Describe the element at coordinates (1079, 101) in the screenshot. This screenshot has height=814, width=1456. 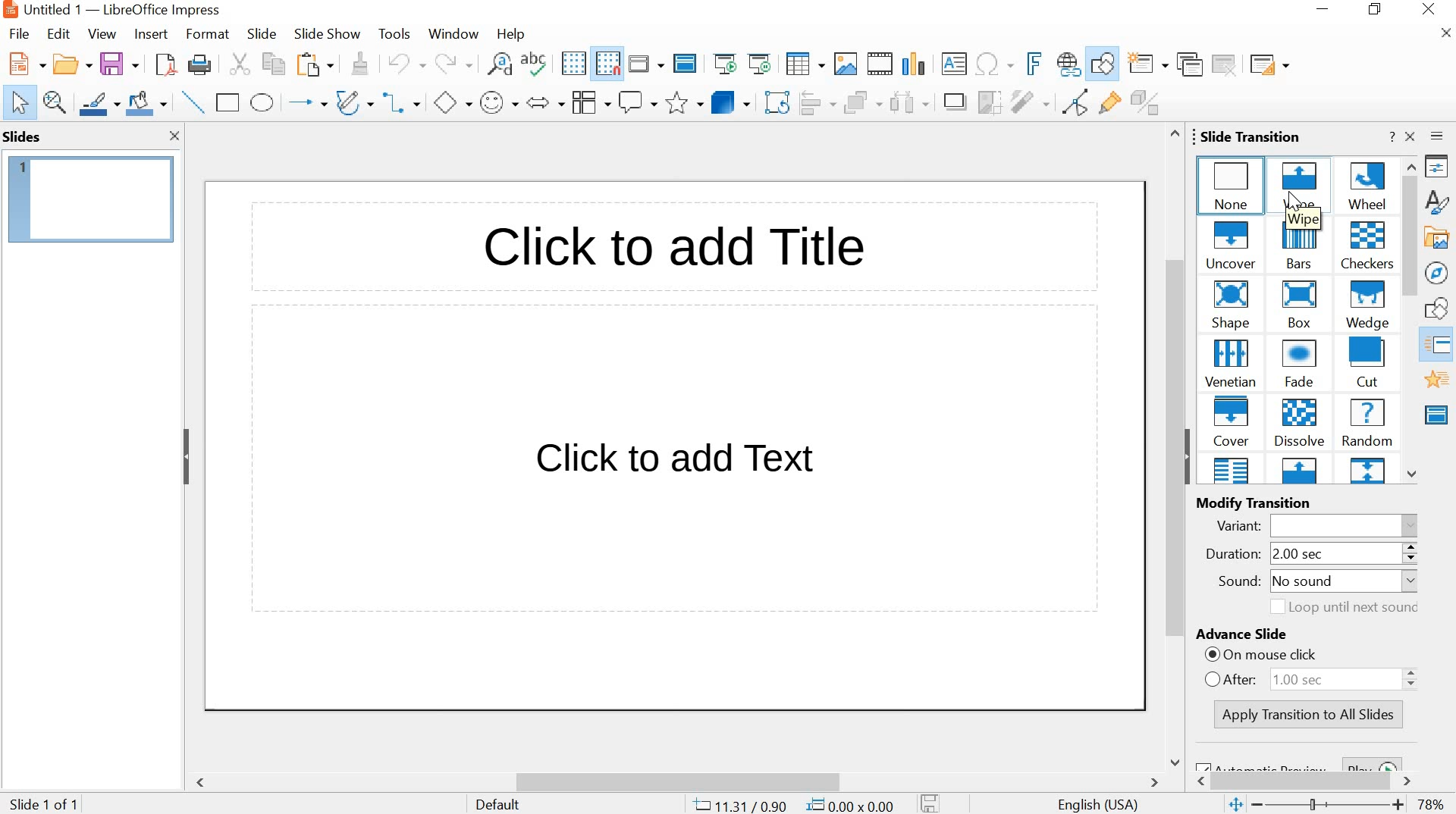
I see `Toggle Point Edit Mode` at that location.